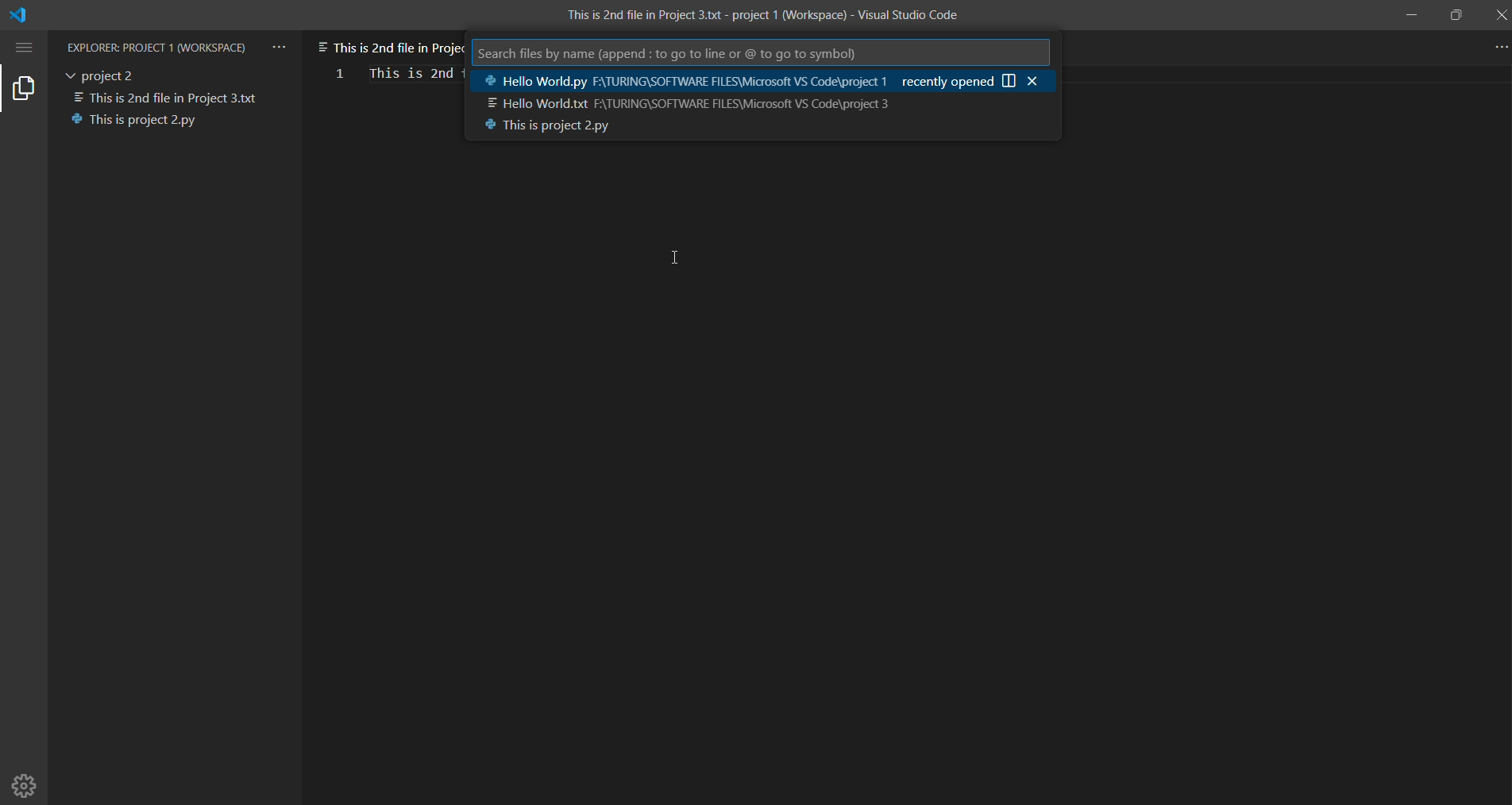  Describe the element at coordinates (169, 95) in the screenshot. I see `This is 2nd file in Proiect 3.txt` at that location.